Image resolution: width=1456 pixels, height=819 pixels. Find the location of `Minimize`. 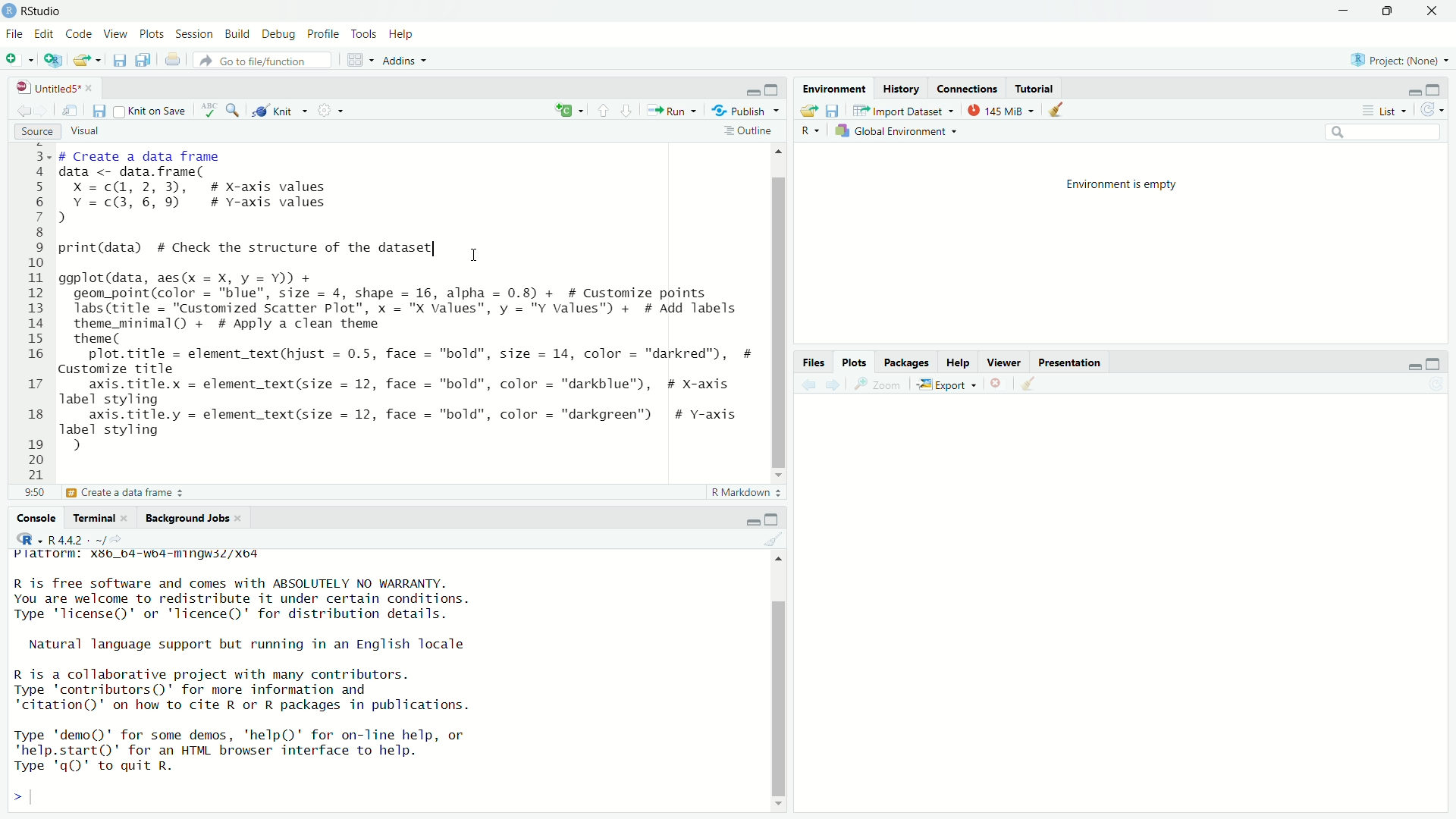

Minimize is located at coordinates (754, 523).